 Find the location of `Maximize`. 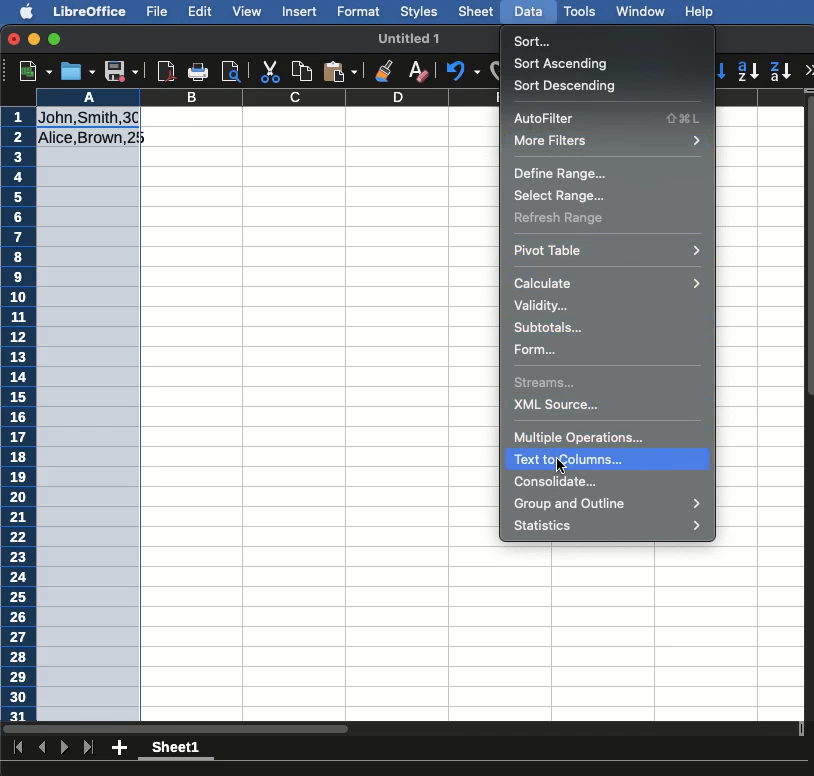

Maximize is located at coordinates (55, 39).